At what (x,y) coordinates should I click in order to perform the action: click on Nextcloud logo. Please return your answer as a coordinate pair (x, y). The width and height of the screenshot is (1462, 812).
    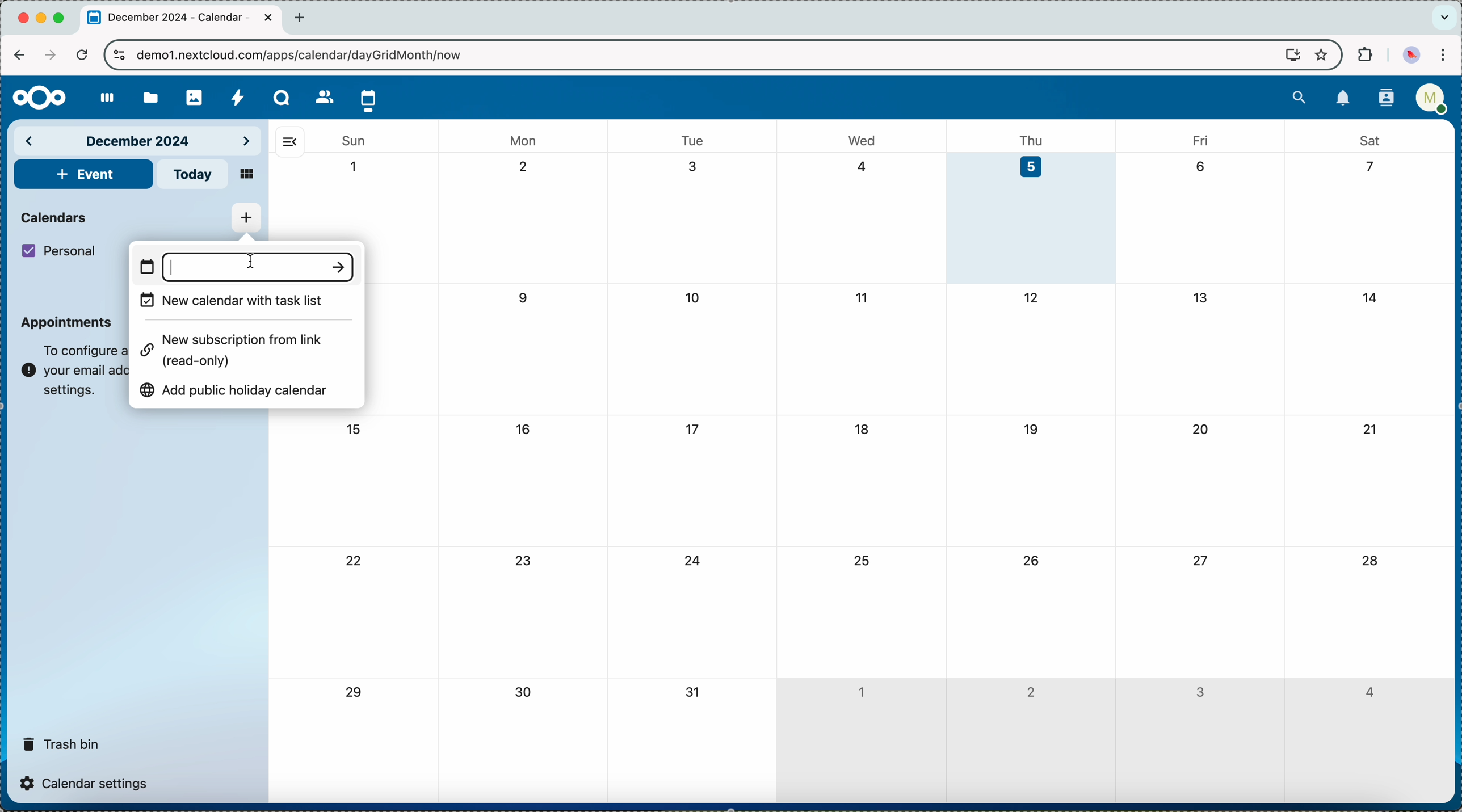
    Looking at the image, I should click on (35, 98).